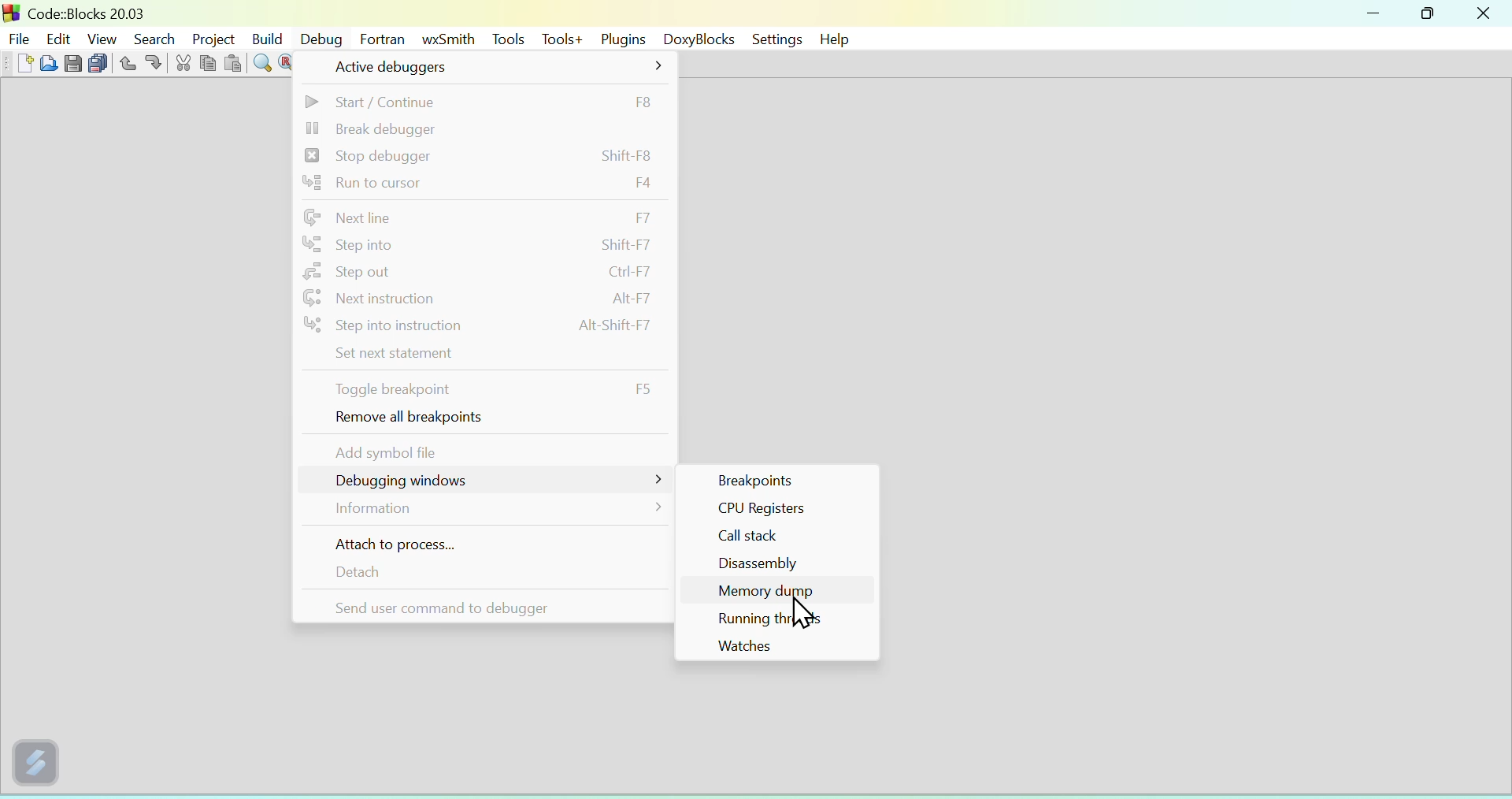 This screenshot has width=1512, height=799. Describe the element at coordinates (507, 37) in the screenshot. I see `Tools` at that location.